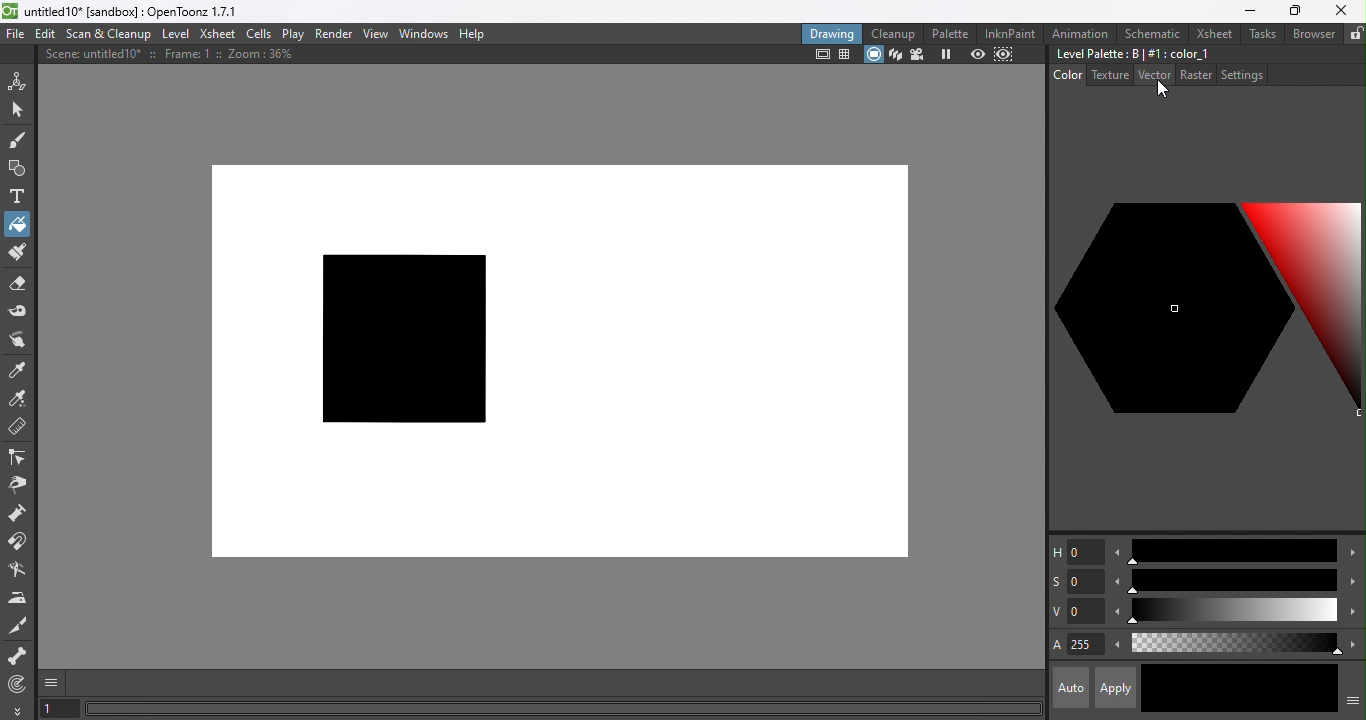 This screenshot has height=720, width=1366. I want to click on Level, so click(178, 34).